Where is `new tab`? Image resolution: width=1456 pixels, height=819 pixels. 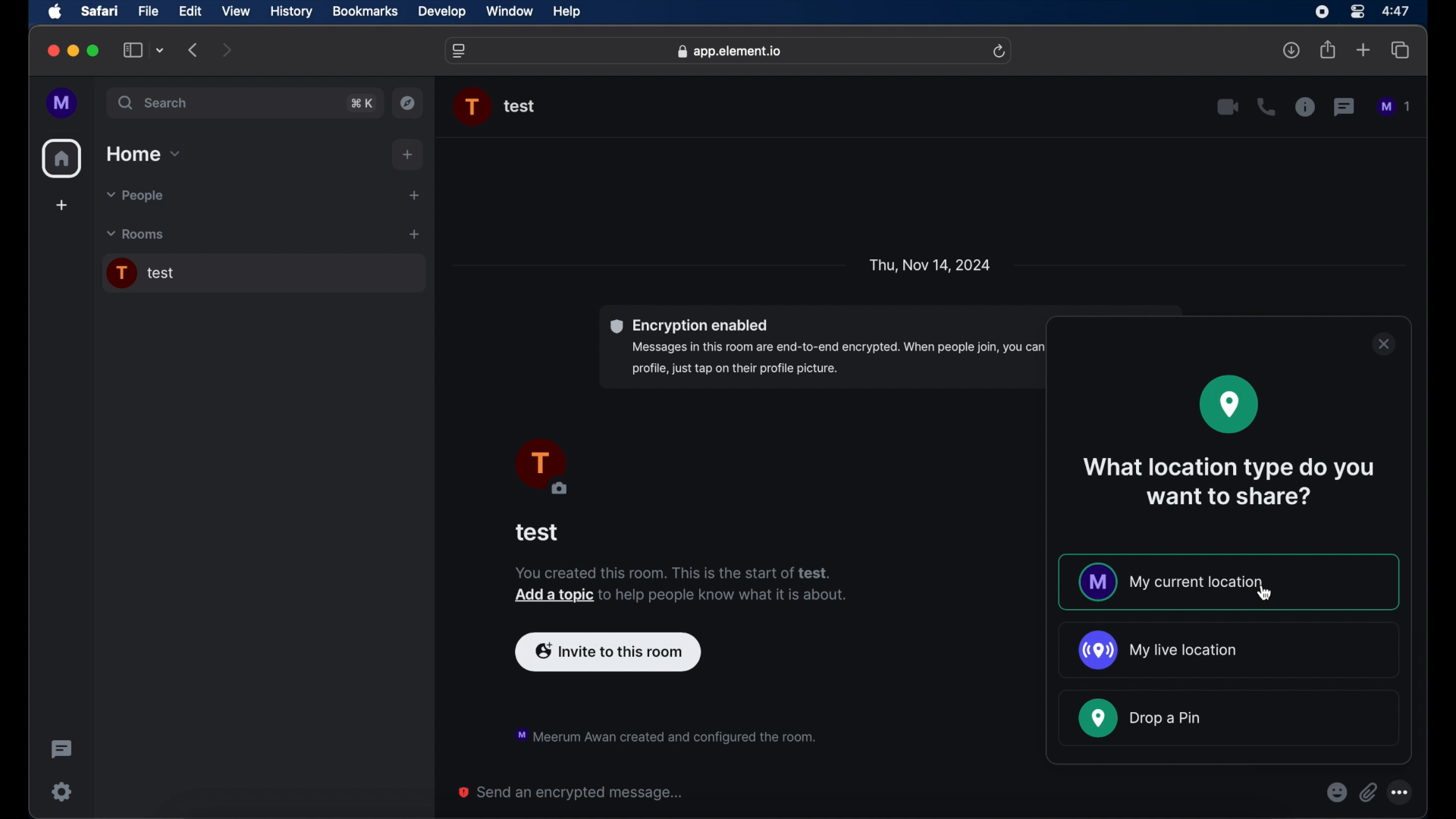
new tab is located at coordinates (1363, 50).